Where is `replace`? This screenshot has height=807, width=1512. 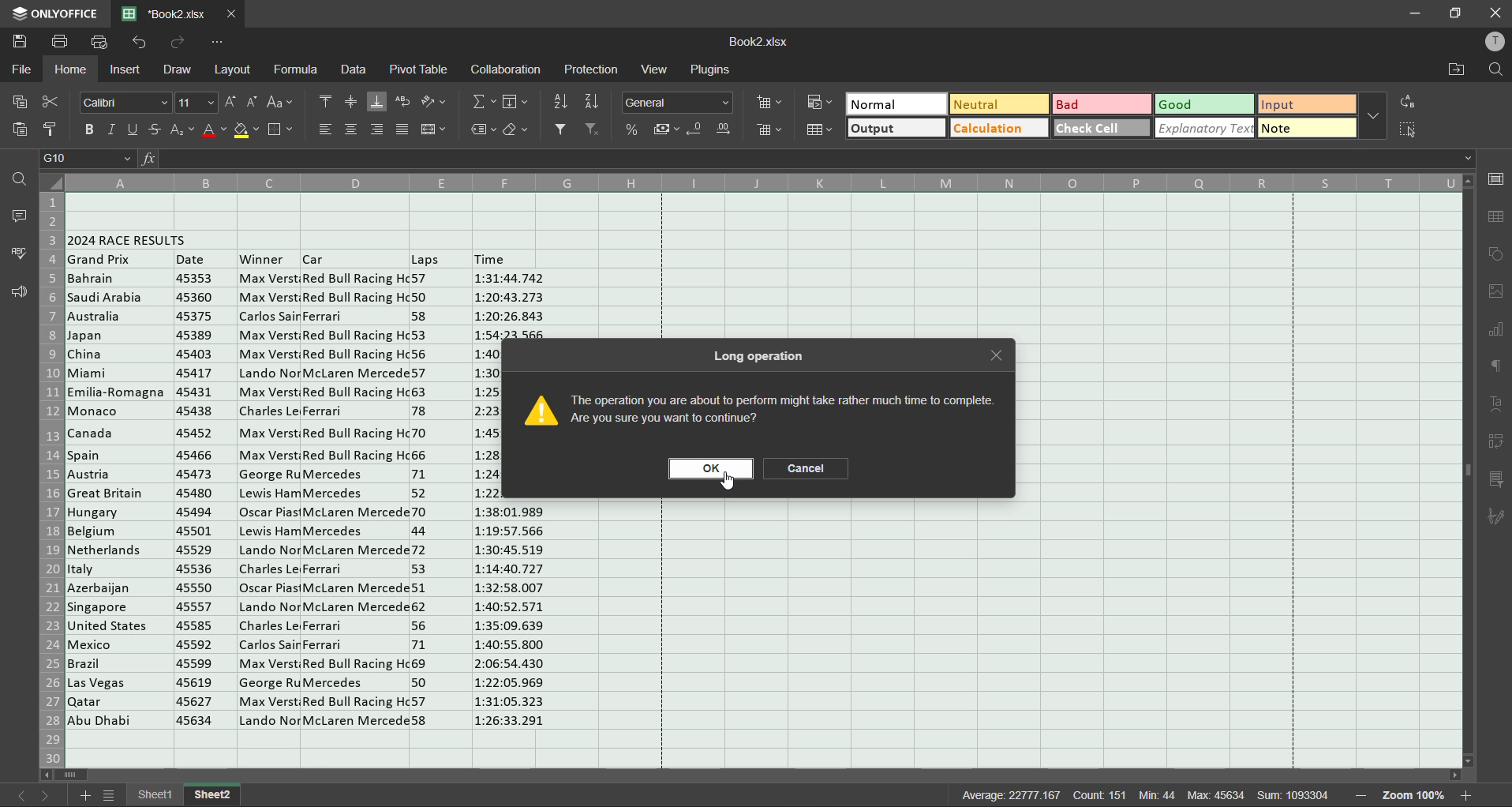 replace is located at coordinates (1410, 103).